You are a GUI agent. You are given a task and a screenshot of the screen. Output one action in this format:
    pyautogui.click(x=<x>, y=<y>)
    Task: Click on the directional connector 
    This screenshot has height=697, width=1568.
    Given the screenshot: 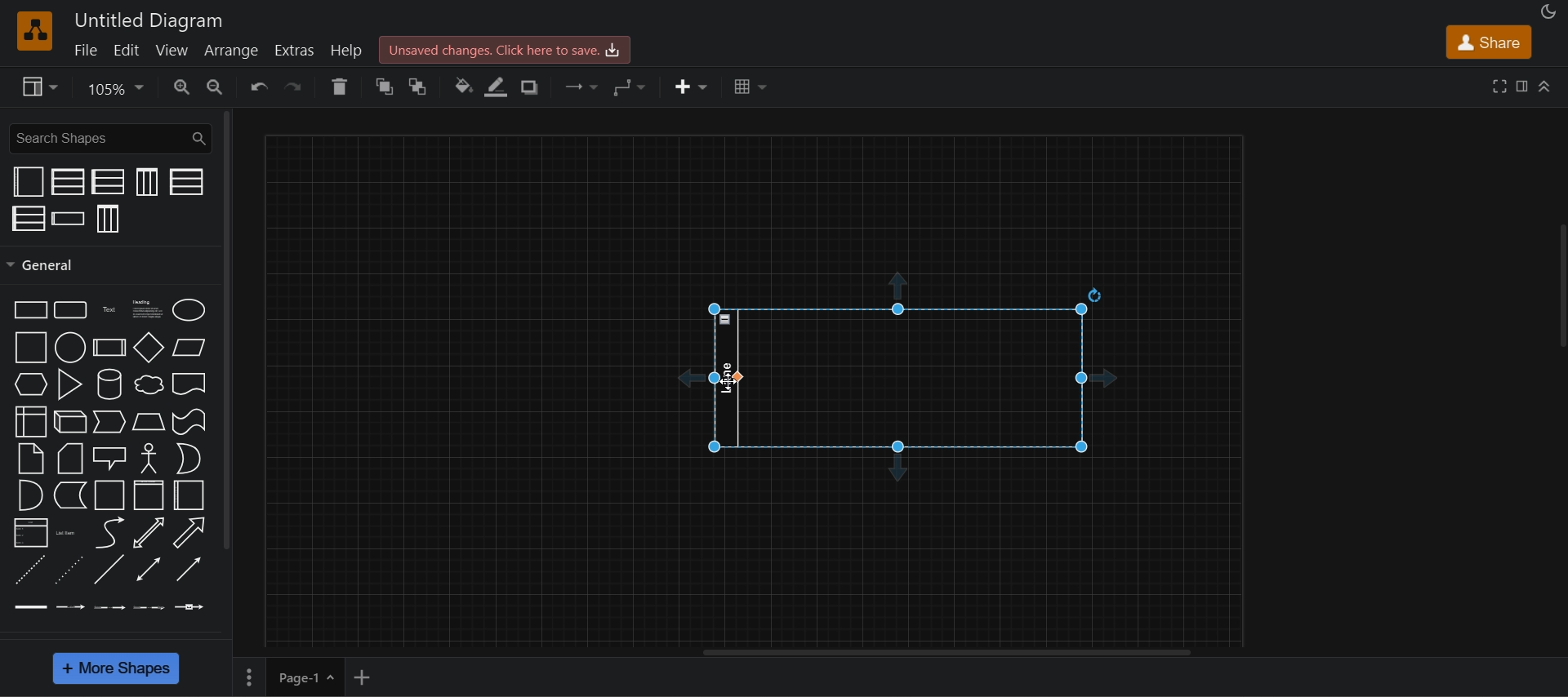 What is the action you would take?
    pyautogui.click(x=189, y=570)
    